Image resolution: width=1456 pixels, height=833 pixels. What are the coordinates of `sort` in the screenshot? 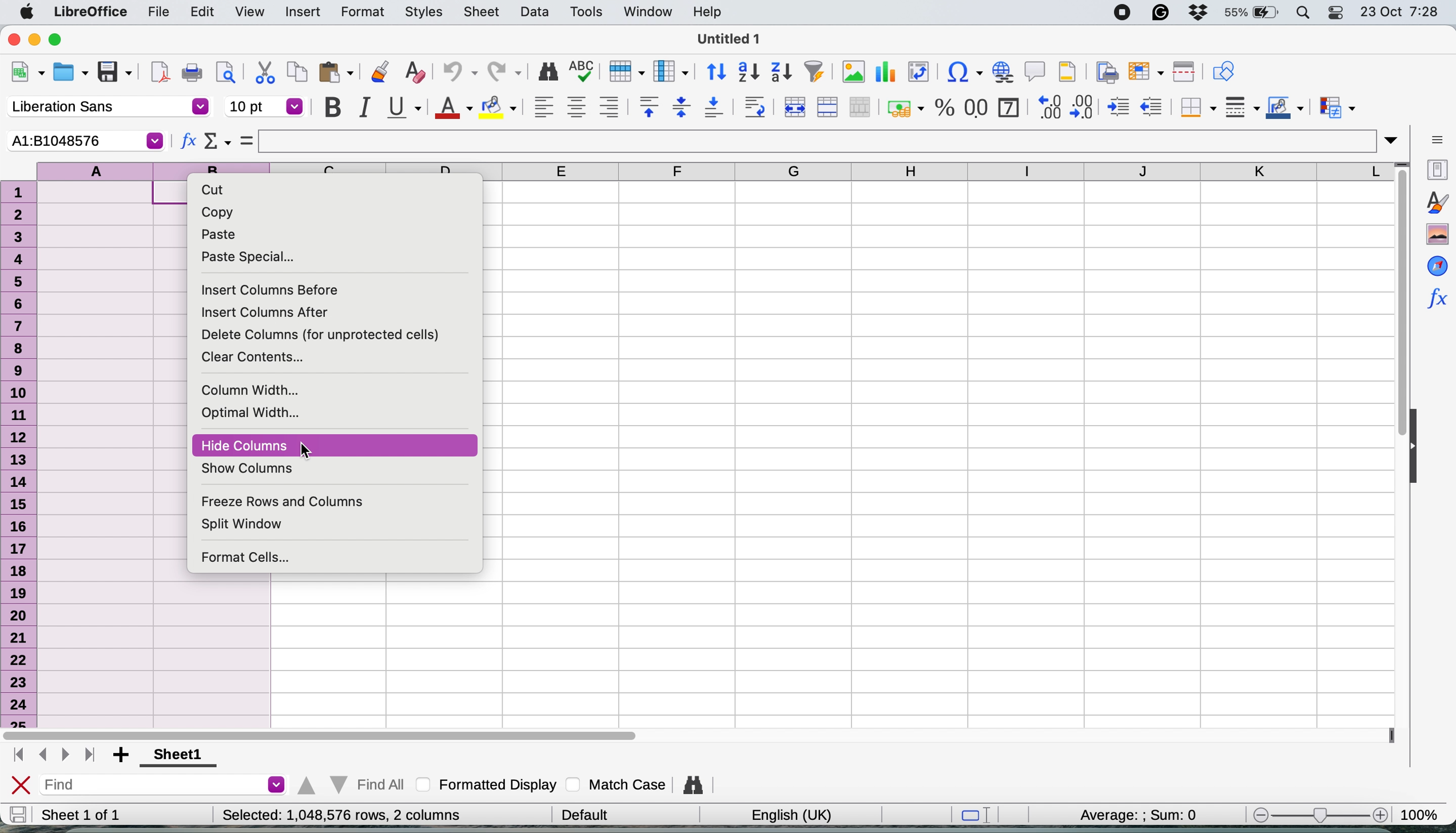 It's located at (713, 72).